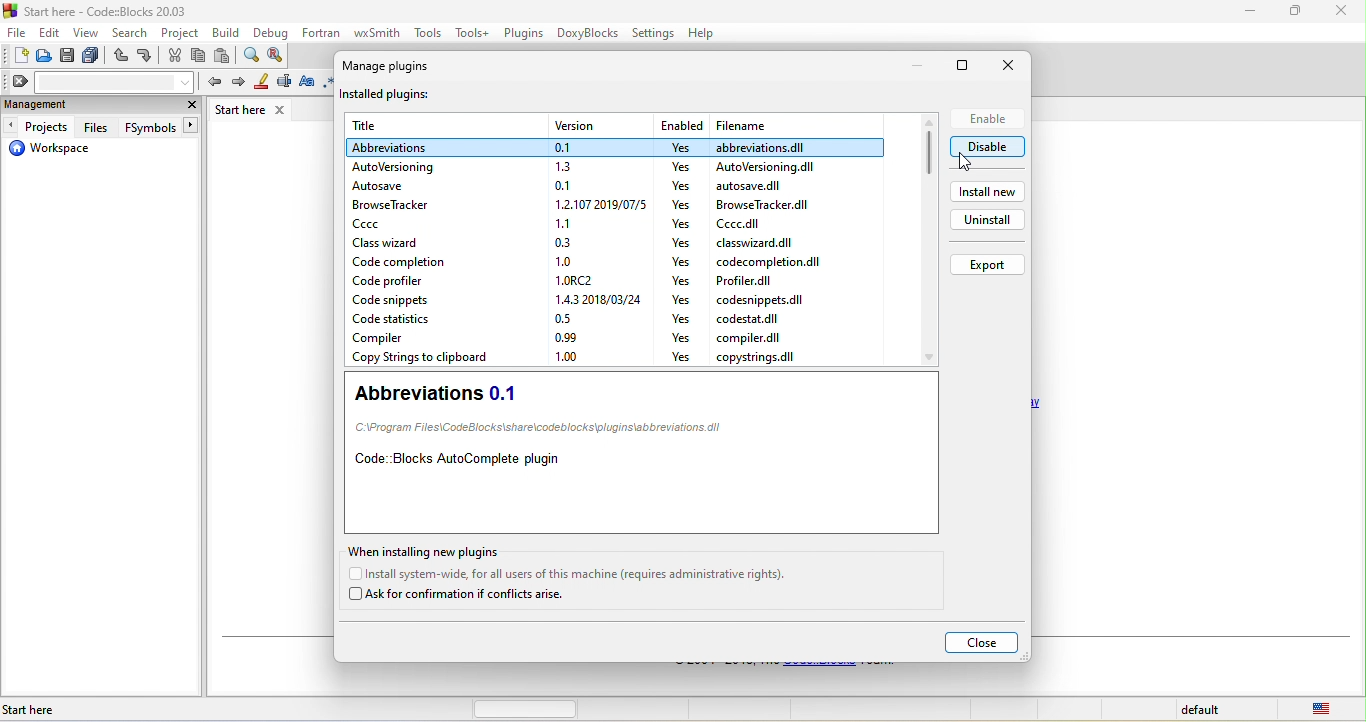 The height and width of the screenshot is (722, 1366). What do you see at coordinates (85, 105) in the screenshot?
I see `management` at bounding box center [85, 105].